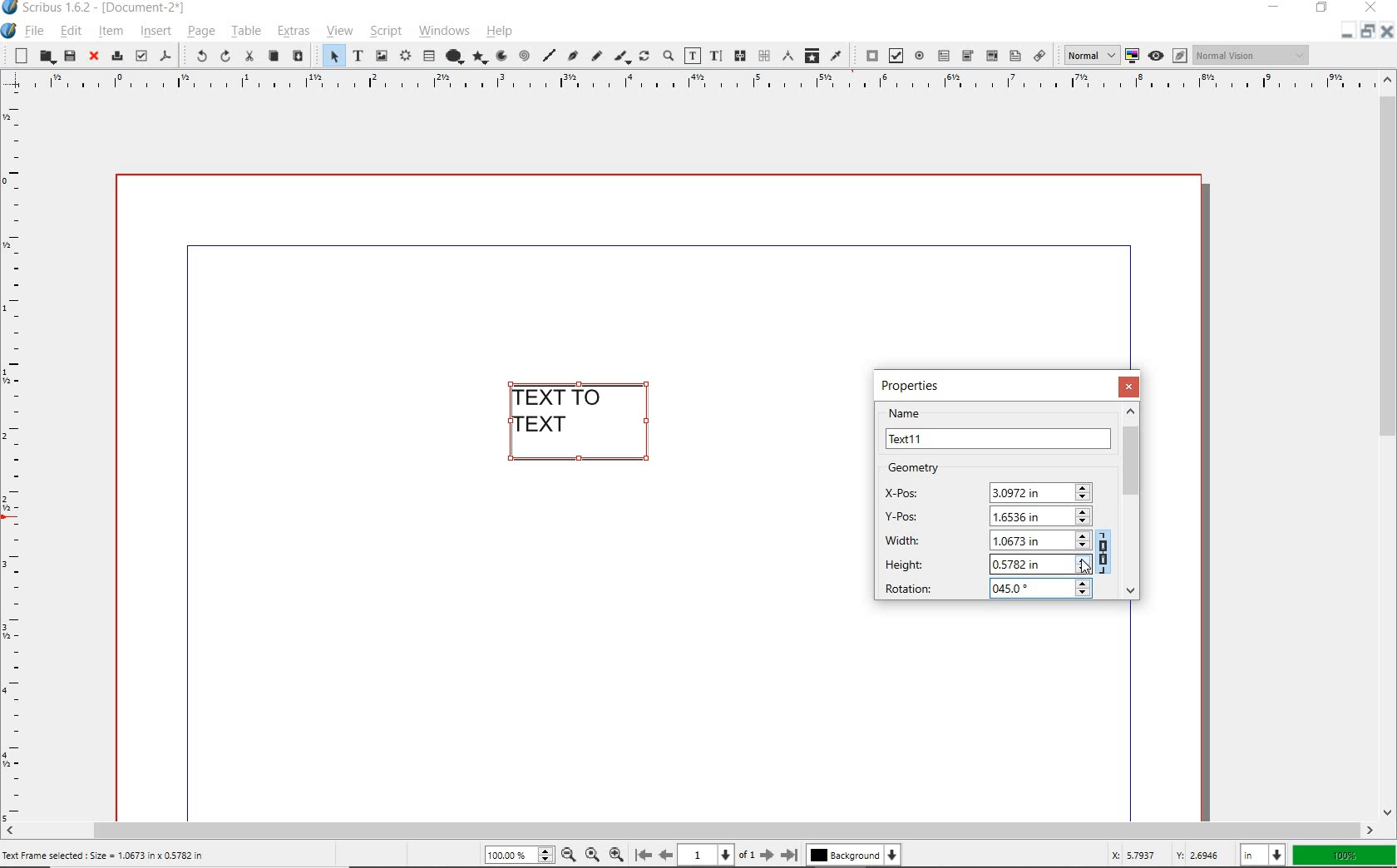  Describe the element at coordinates (986, 539) in the screenshot. I see `WIDTH` at that location.